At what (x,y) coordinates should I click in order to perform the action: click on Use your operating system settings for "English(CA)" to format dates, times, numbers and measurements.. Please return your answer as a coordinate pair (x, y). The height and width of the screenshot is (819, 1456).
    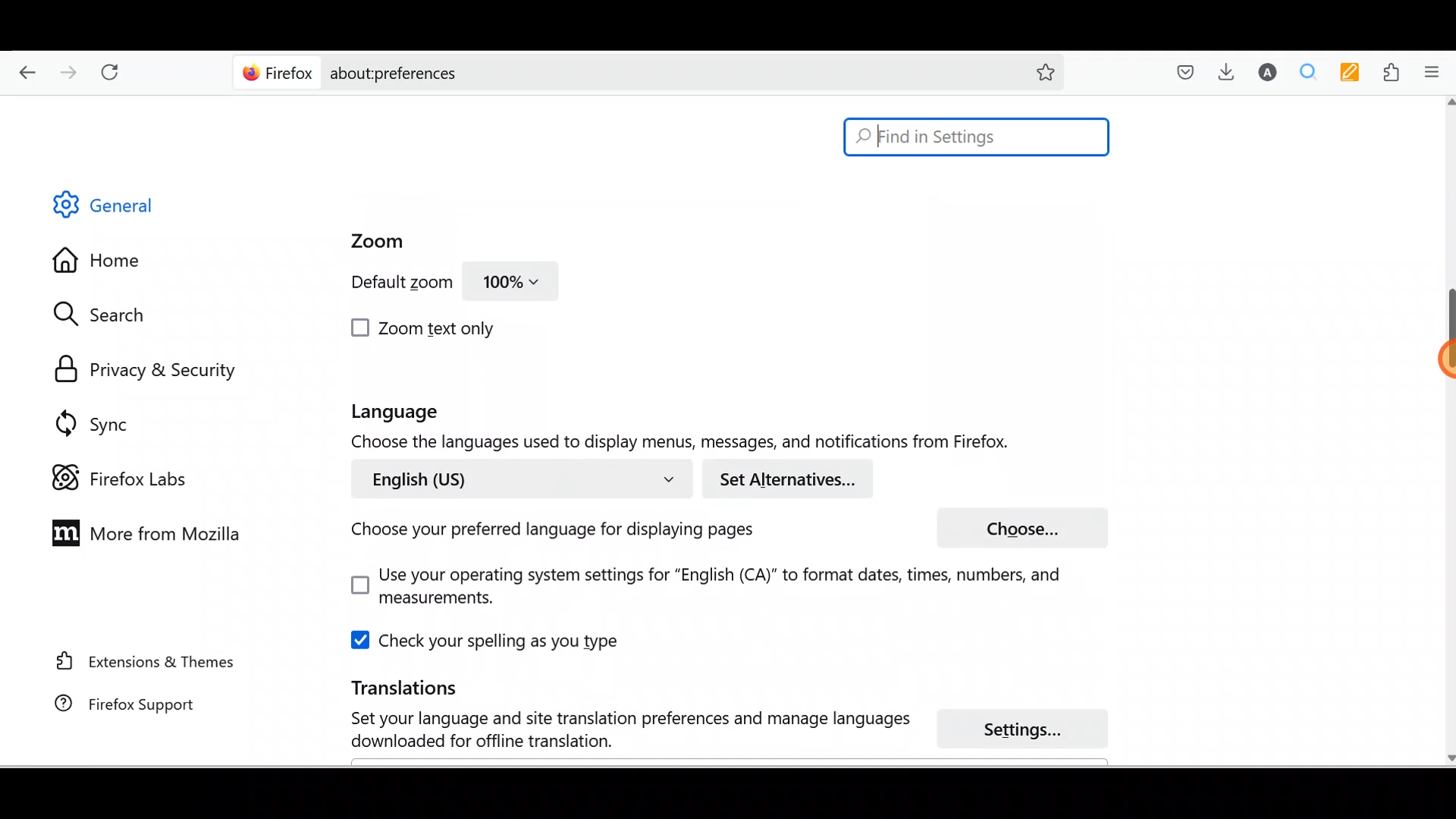
    Looking at the image, I should click on (691, 588).